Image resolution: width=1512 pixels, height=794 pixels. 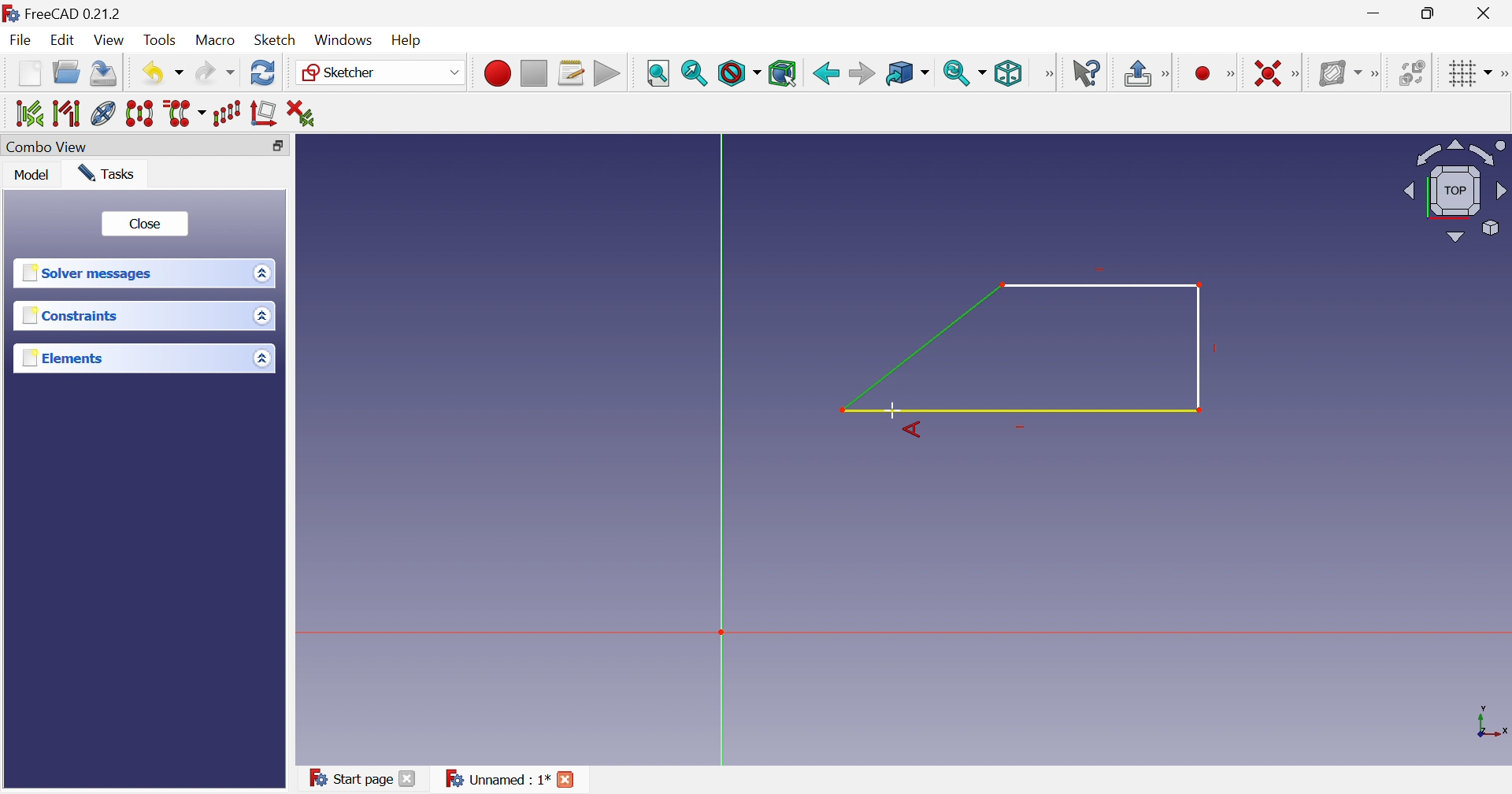 What do you see at coordinates (343, 73) in the screenshot?
I see `Sketcher` at bounding box center [343, 73].